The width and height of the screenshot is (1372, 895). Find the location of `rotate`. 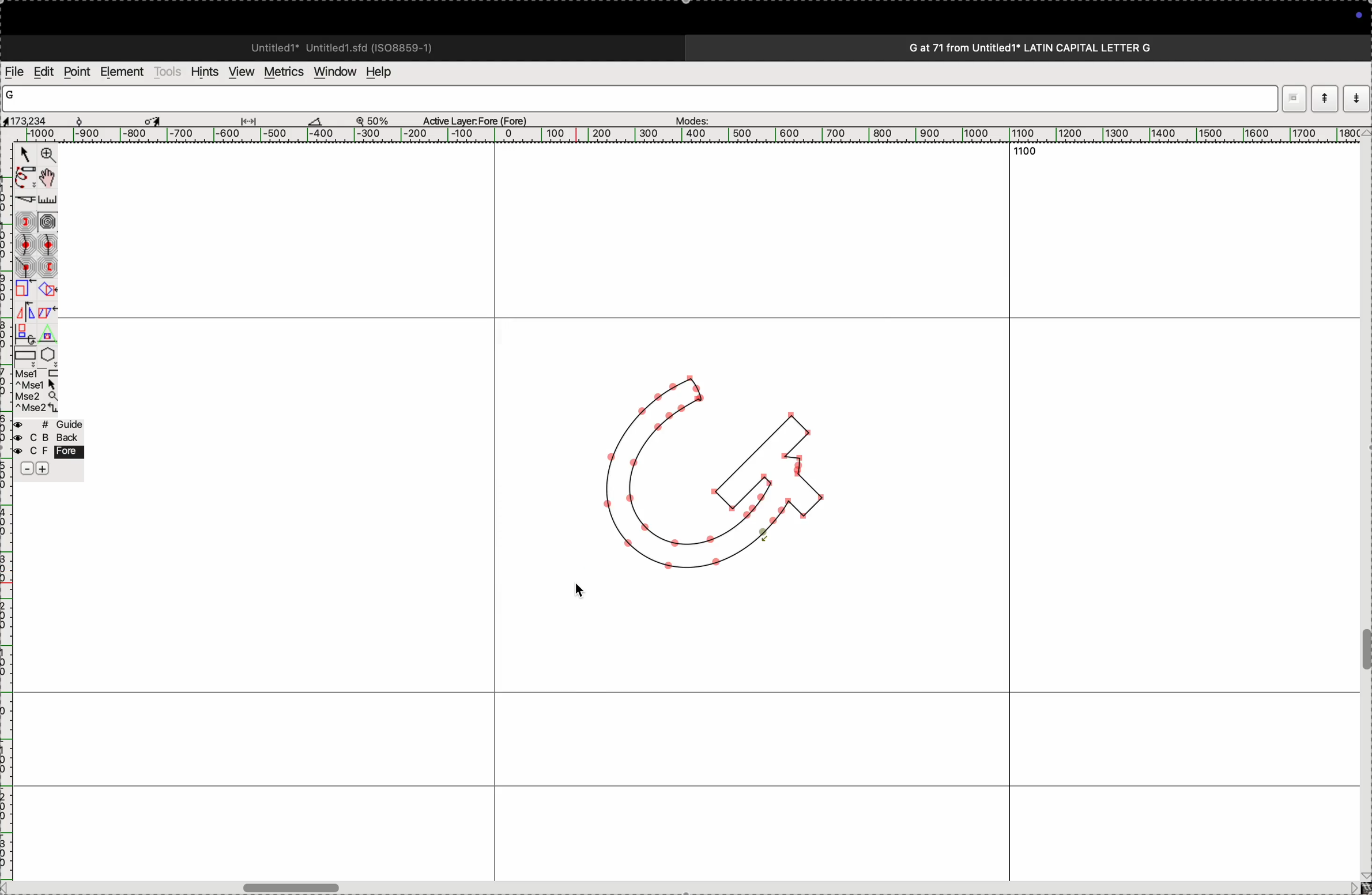

rotate is located at coordinates (47, 291).